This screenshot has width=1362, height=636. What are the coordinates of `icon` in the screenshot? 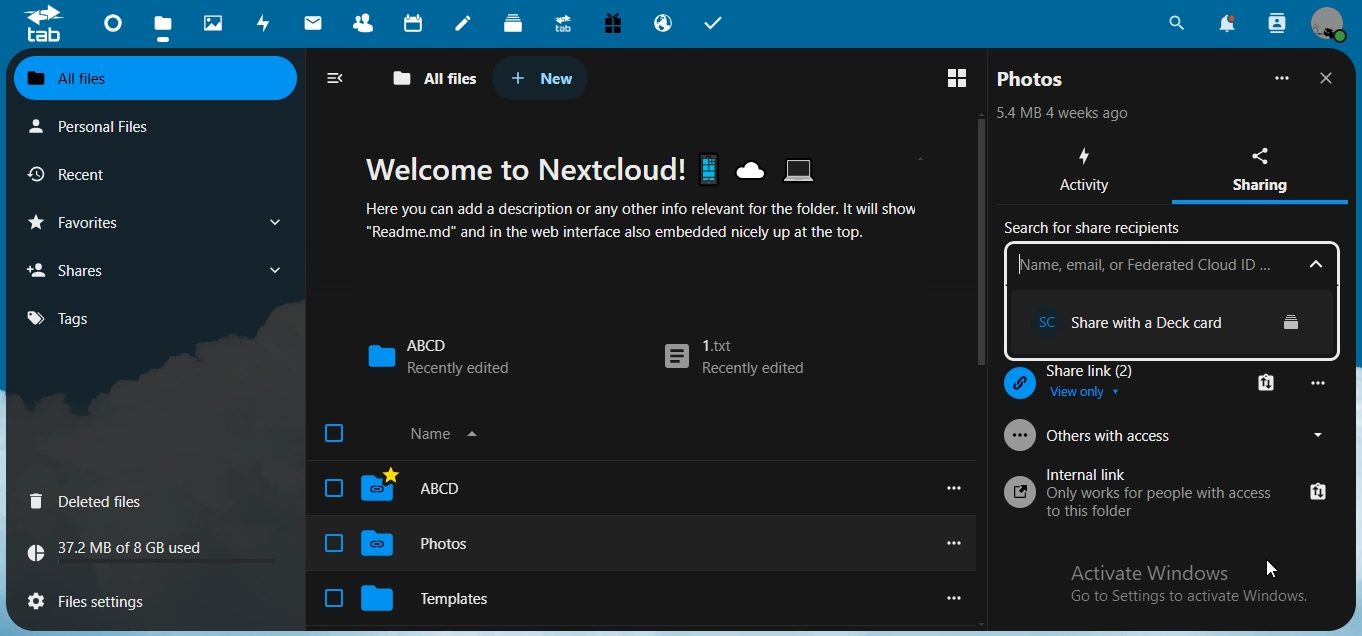 It's located at (43, 23).